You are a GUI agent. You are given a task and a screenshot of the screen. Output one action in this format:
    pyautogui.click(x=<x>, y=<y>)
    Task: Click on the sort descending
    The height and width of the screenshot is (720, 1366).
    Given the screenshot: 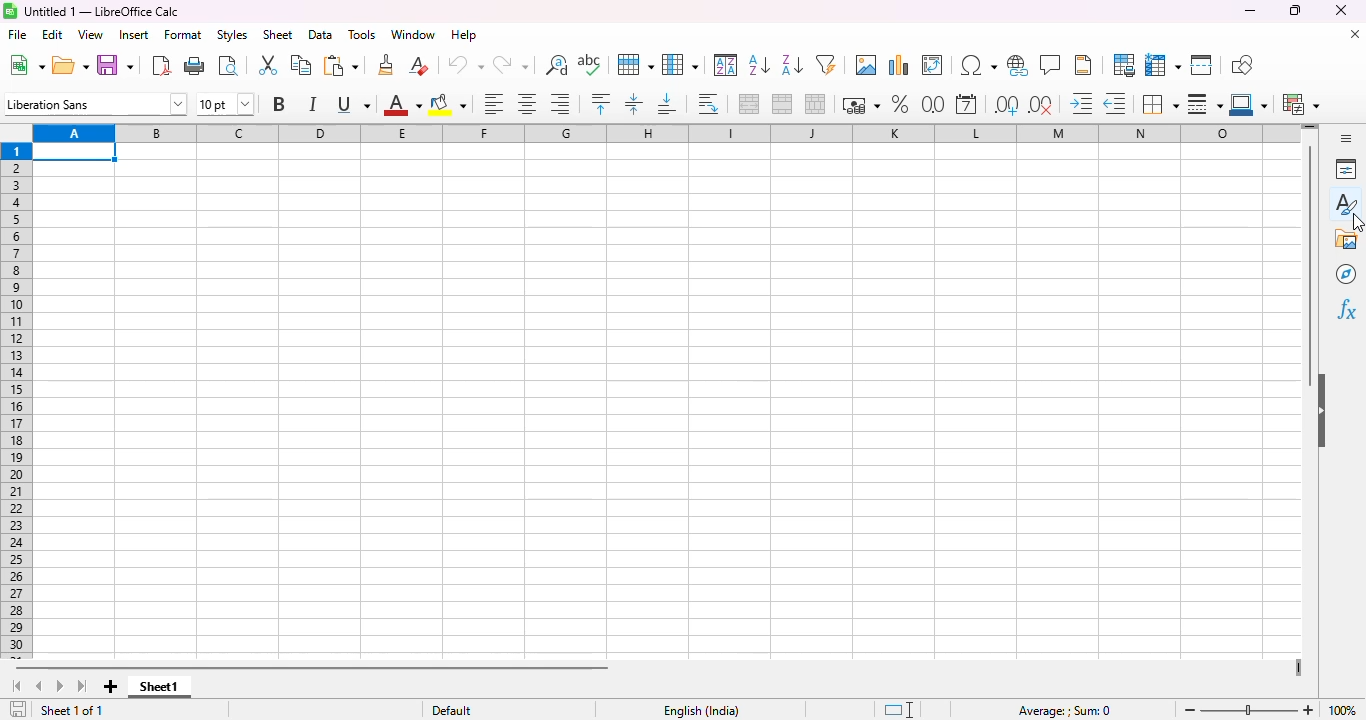 What is the action you would take?
    pyautogui.click(x=793, y=65)
    